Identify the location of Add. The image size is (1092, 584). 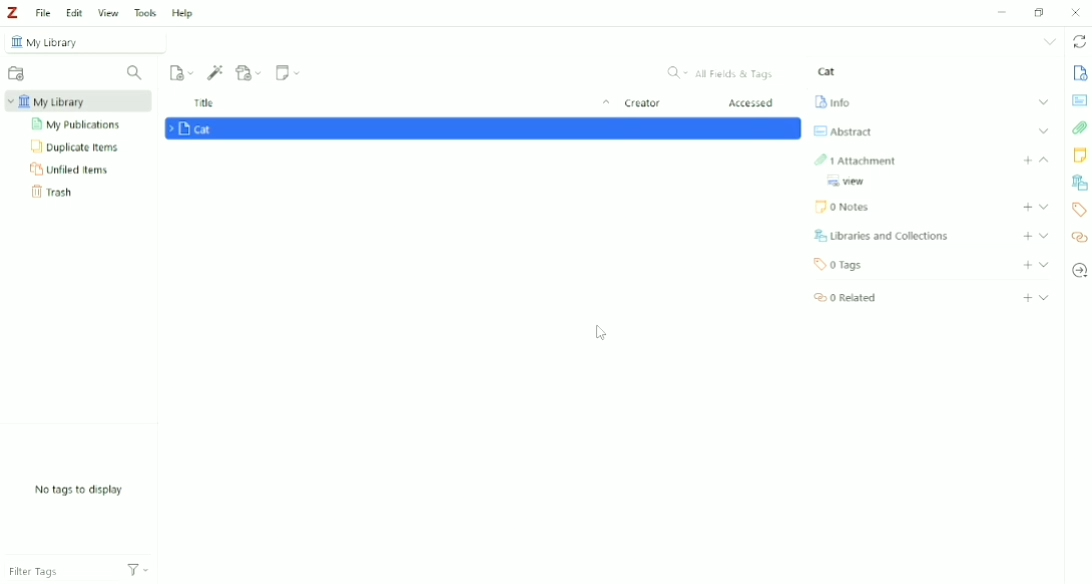
(1028, 160).